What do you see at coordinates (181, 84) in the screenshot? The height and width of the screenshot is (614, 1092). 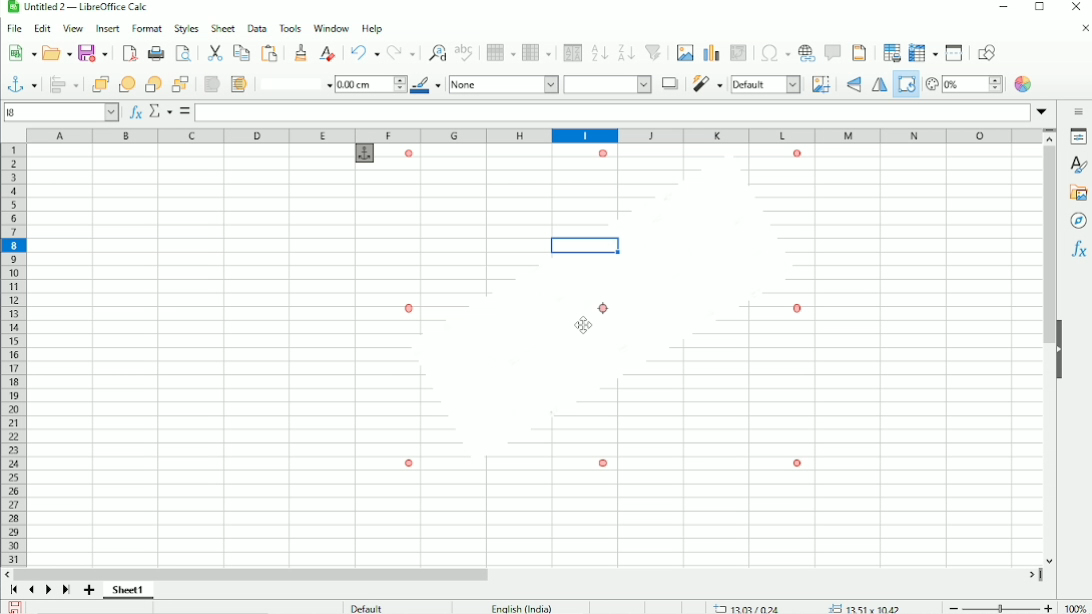 I see `` at bounding box center [181, 84].